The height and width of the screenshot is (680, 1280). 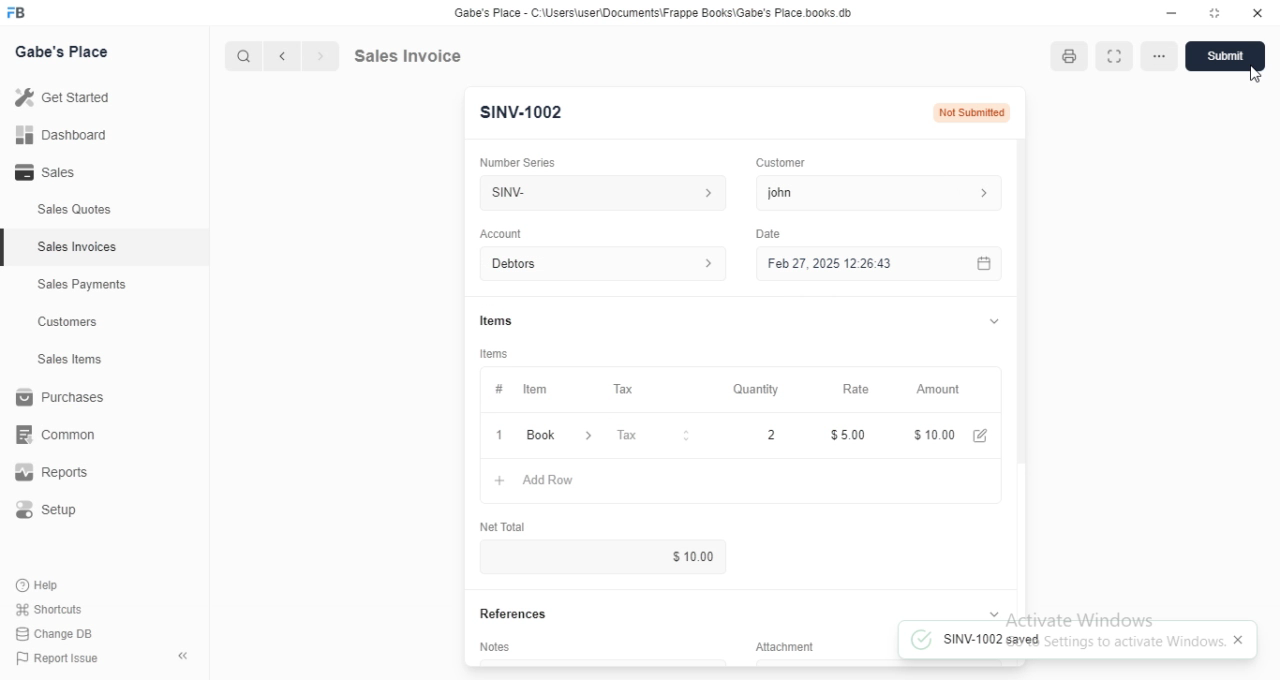 What do you see at coordinates (82, 285) in the screenshot?
I see `Sales Payments` at bounding box center [82, 285].